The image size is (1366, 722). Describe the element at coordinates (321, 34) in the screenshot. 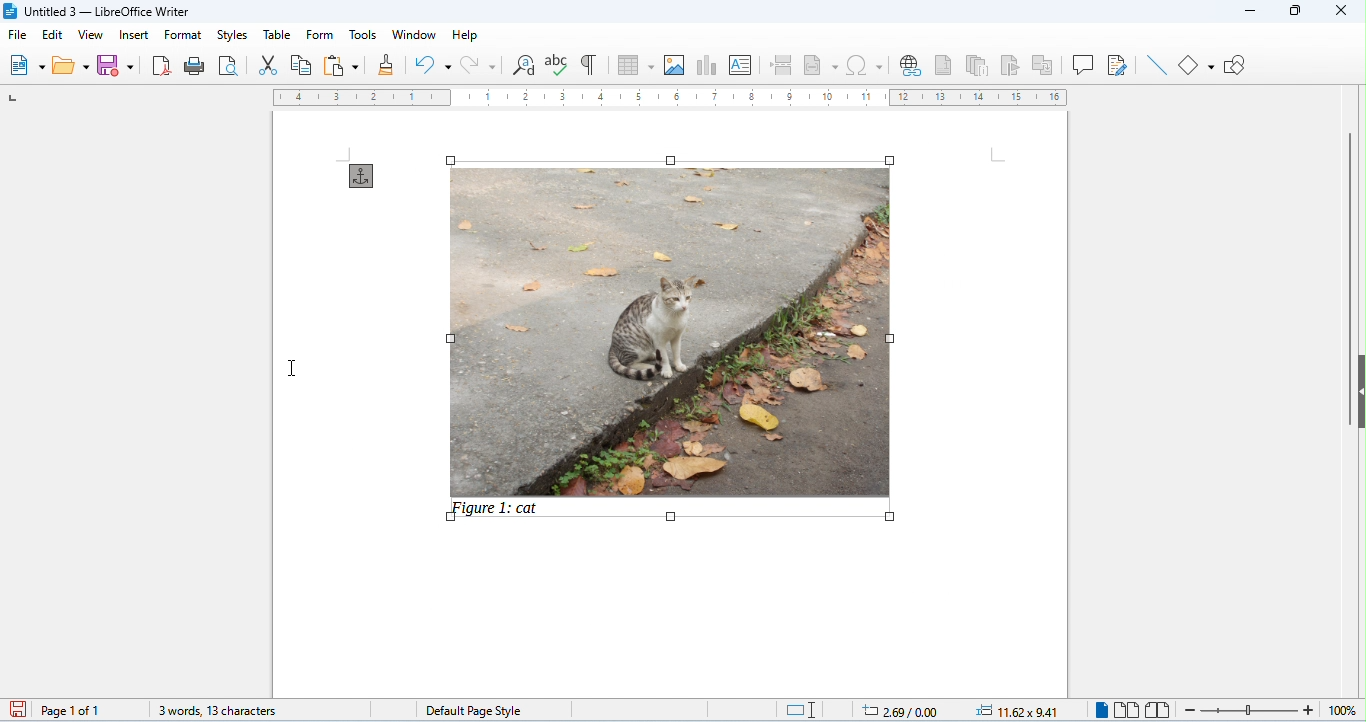

I see `form` at that location.